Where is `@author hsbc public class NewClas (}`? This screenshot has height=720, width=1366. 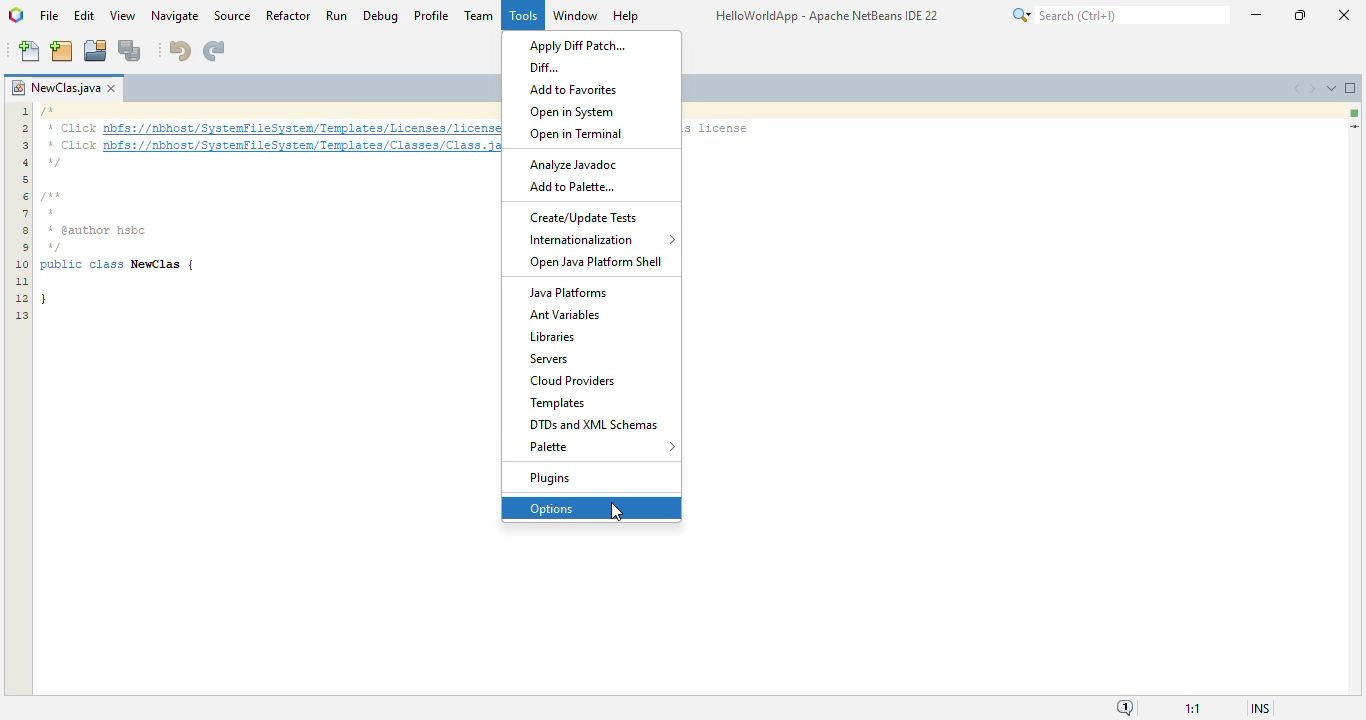
@author hsbc public class NewClas (} is located at coordinates (136, 265).